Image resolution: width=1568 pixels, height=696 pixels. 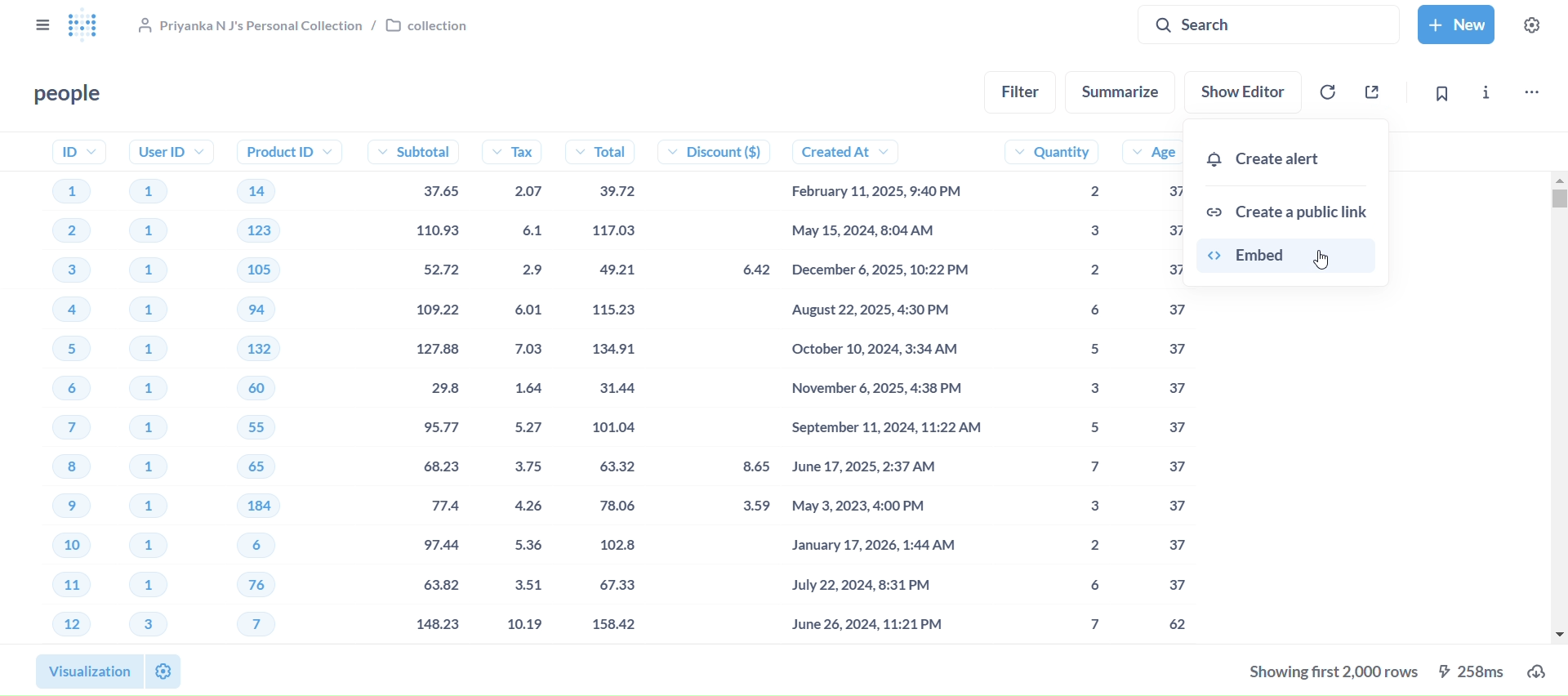 I want to click on subtotal, so click(x=412, y=388).